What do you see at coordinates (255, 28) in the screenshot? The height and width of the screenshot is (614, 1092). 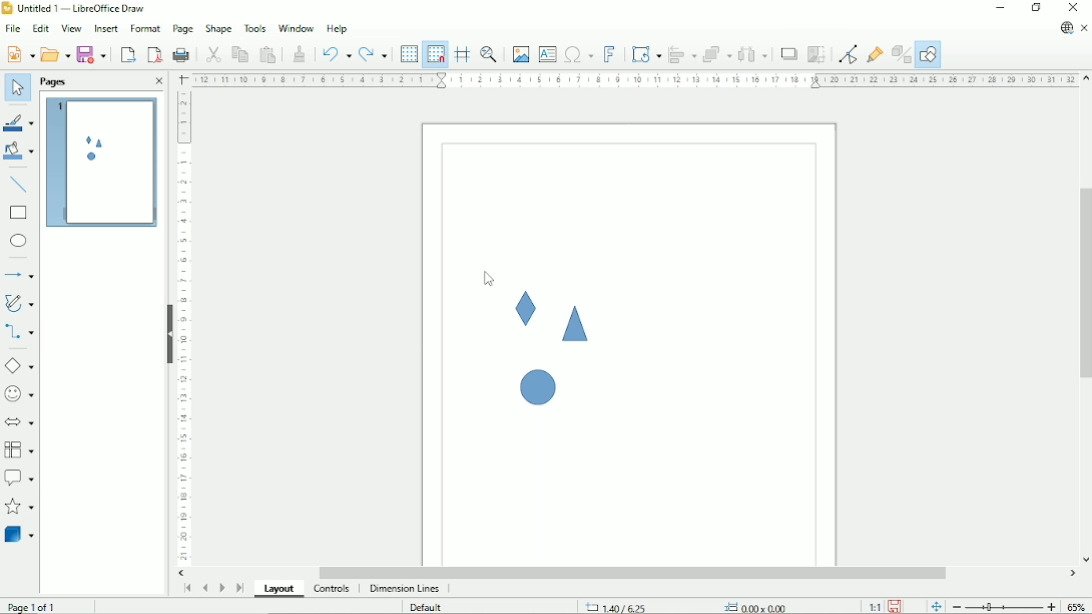 I see `Tools` at bounding box center [255, 28].